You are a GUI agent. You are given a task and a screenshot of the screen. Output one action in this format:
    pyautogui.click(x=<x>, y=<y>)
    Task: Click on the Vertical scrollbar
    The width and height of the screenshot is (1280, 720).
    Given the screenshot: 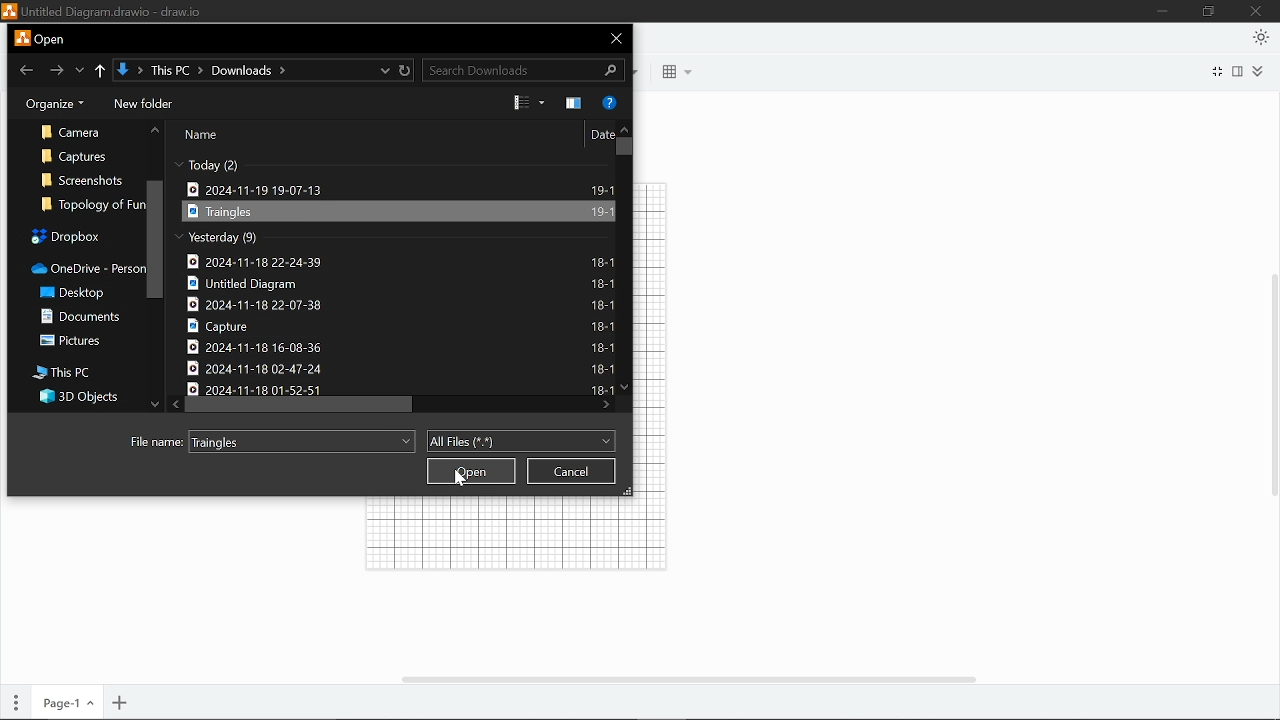 What is the action you would take?
    pyautogui.click(x=1272, y=385)
    